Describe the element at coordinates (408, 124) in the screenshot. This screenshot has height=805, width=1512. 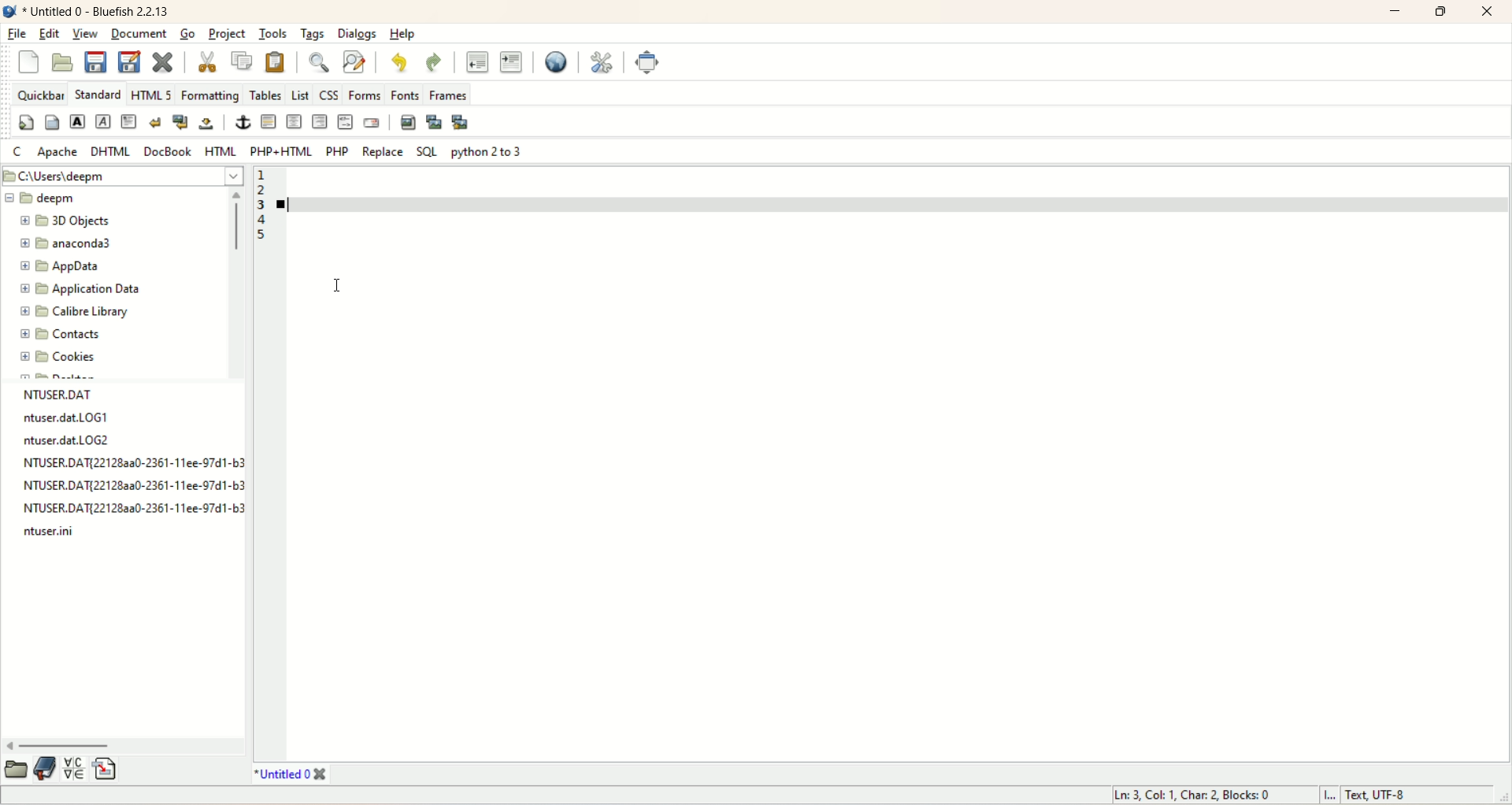
I see `insert image` at that location.